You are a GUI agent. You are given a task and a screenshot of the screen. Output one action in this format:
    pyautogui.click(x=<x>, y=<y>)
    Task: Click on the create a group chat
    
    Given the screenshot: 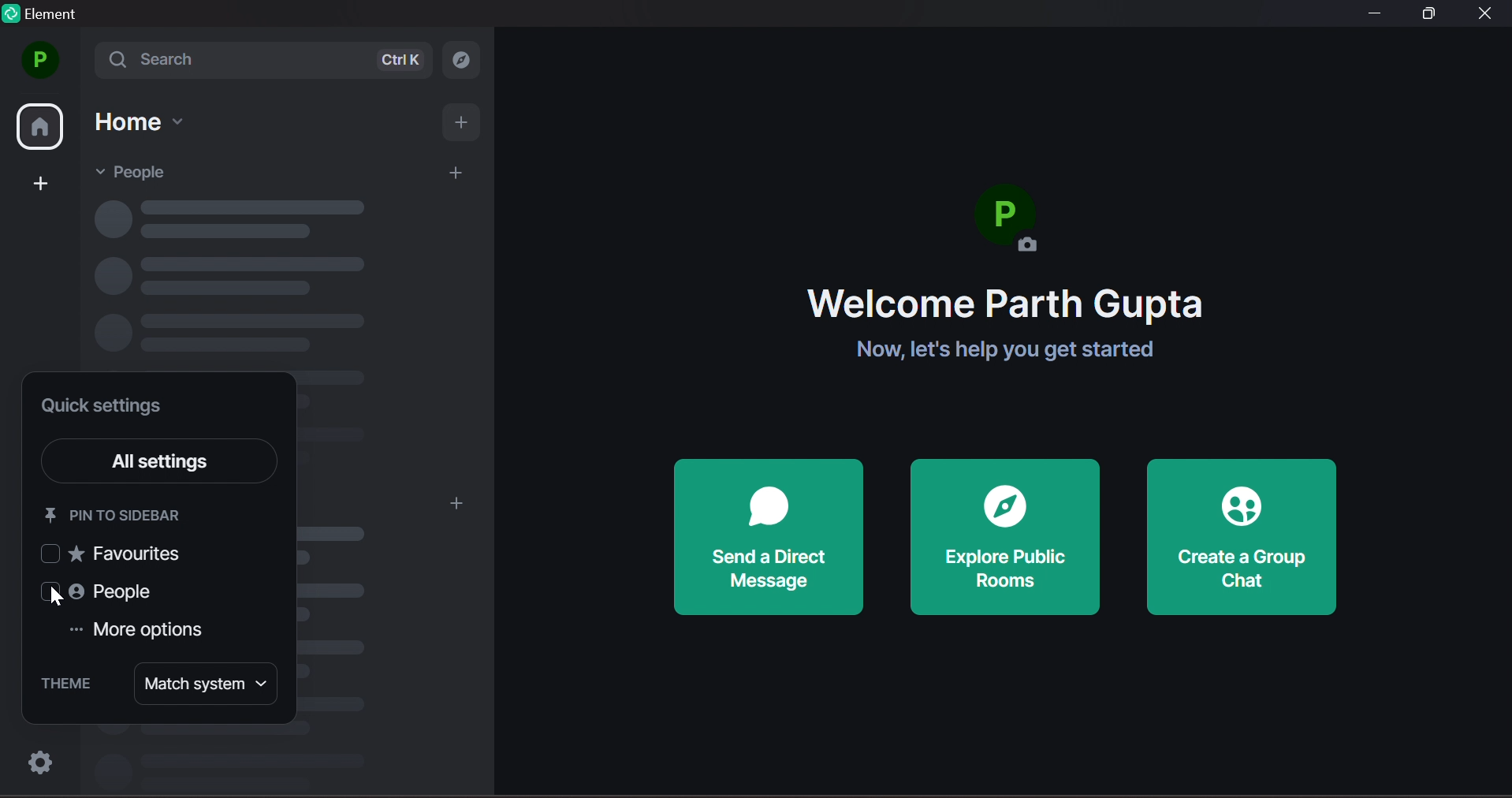 What is the action you would take?
    pyautogui.click(x=1243, y=538)
    